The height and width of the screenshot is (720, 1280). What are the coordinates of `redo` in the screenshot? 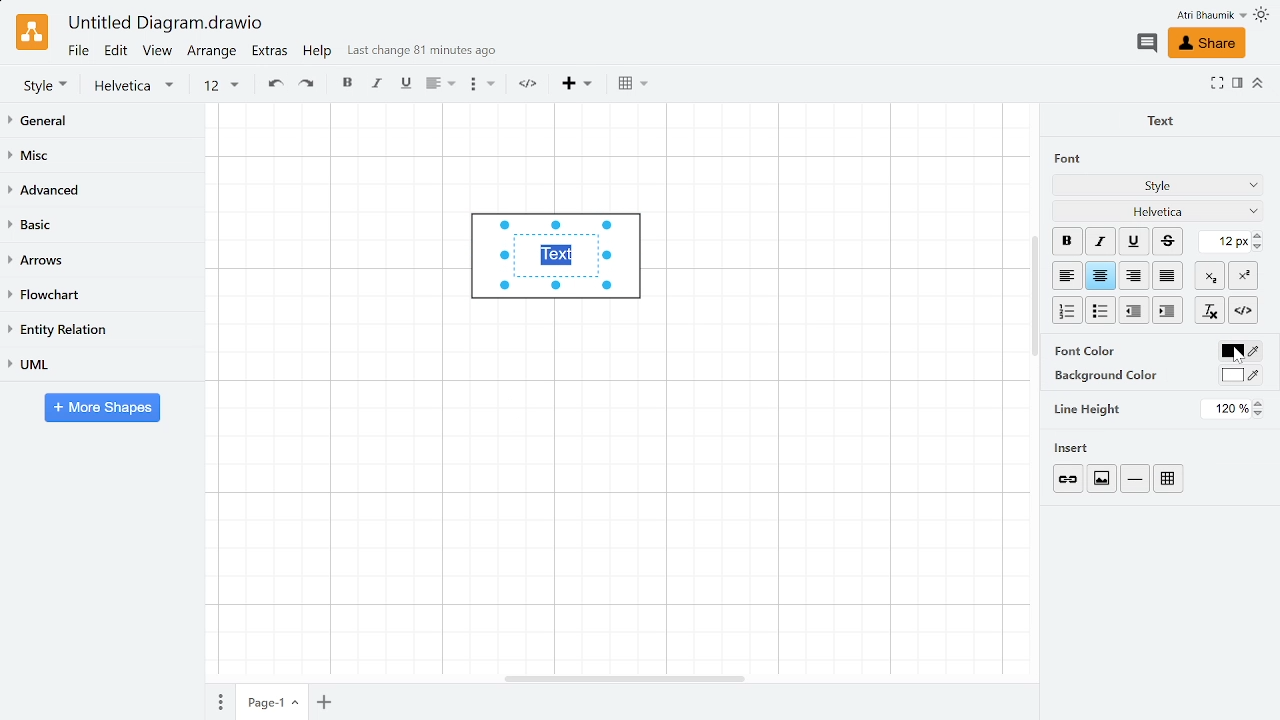 It's located at (309, 85).